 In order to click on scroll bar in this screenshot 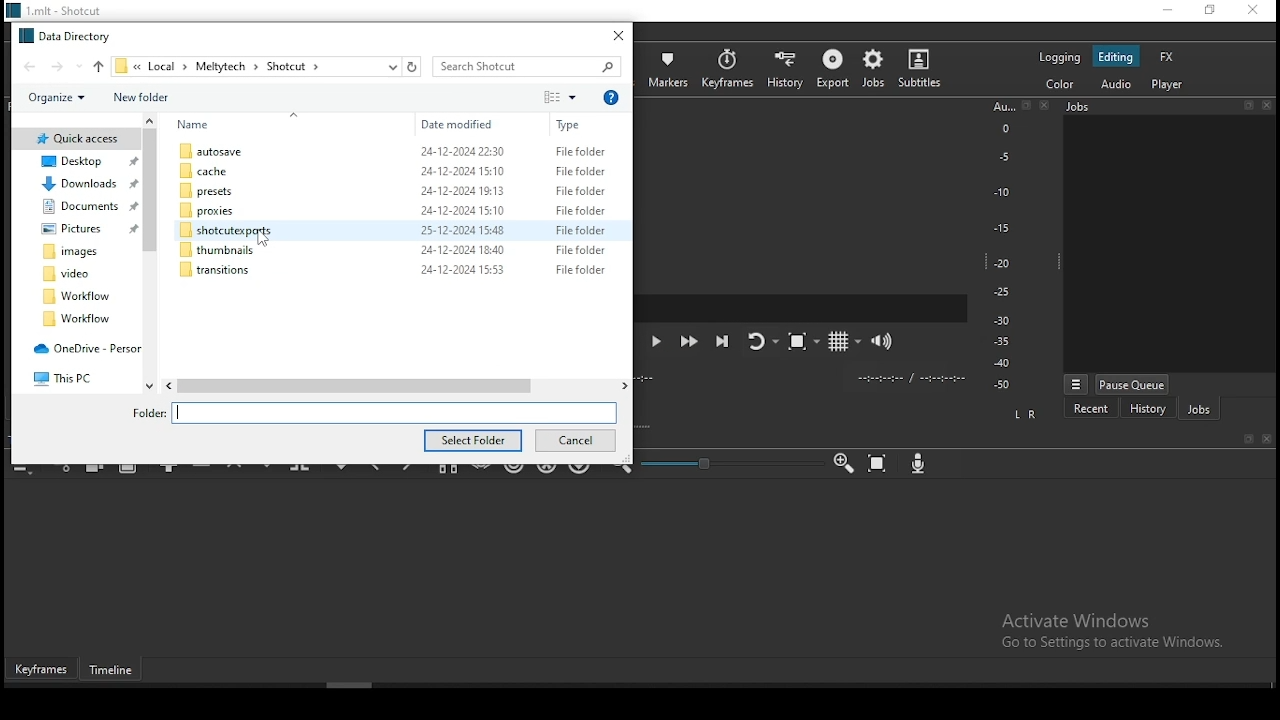, I will do `click(151, 256)`.